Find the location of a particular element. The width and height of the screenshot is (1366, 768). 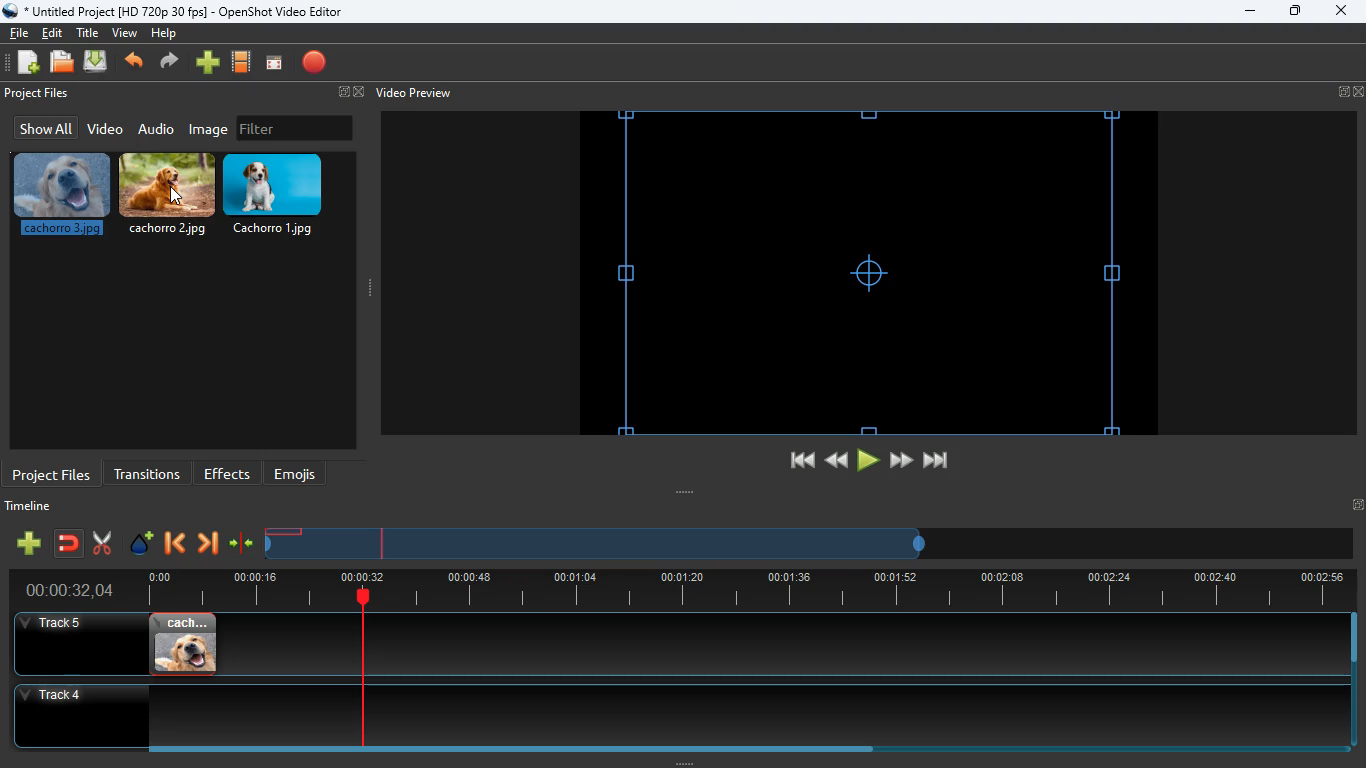

play is located at coordinates (868, 461).